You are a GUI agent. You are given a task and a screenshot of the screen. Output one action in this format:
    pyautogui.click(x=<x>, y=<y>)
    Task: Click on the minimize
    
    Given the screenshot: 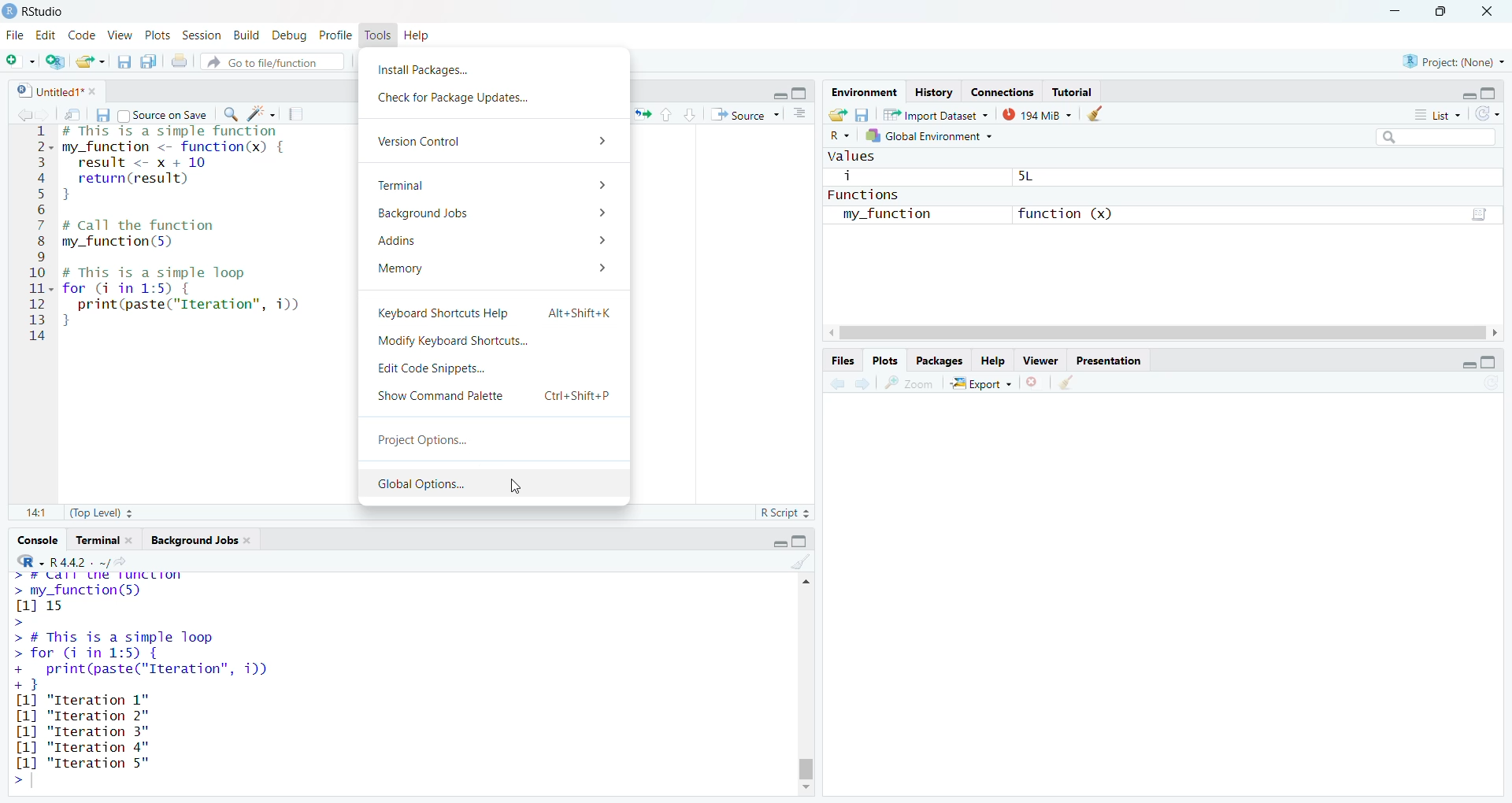 What is the action you would take?
    pyautogui.click(x=776, y=94)
    